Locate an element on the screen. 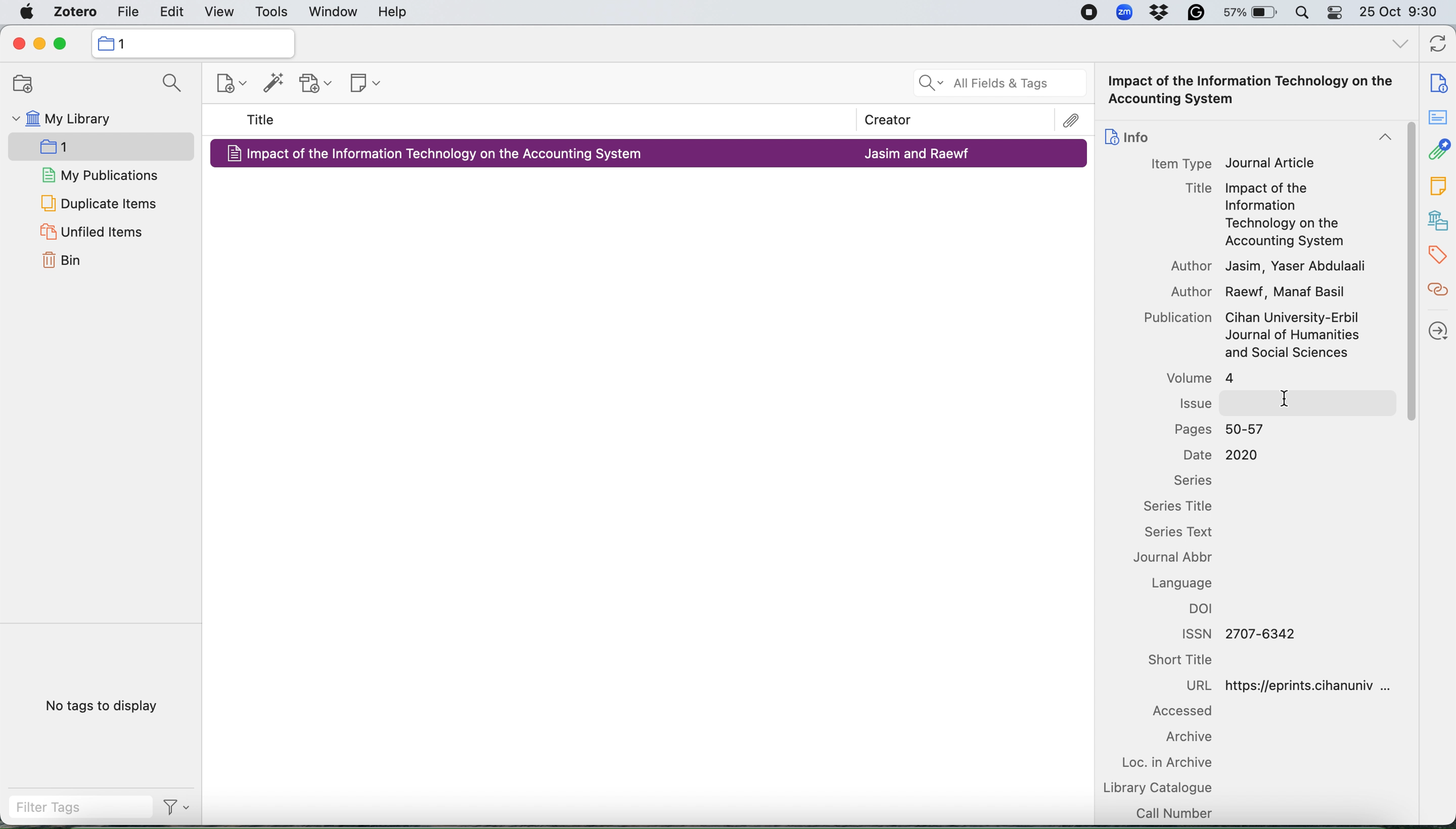 This screenshot has height=829, width=1456. system logo is located at coordinates (24, 12).